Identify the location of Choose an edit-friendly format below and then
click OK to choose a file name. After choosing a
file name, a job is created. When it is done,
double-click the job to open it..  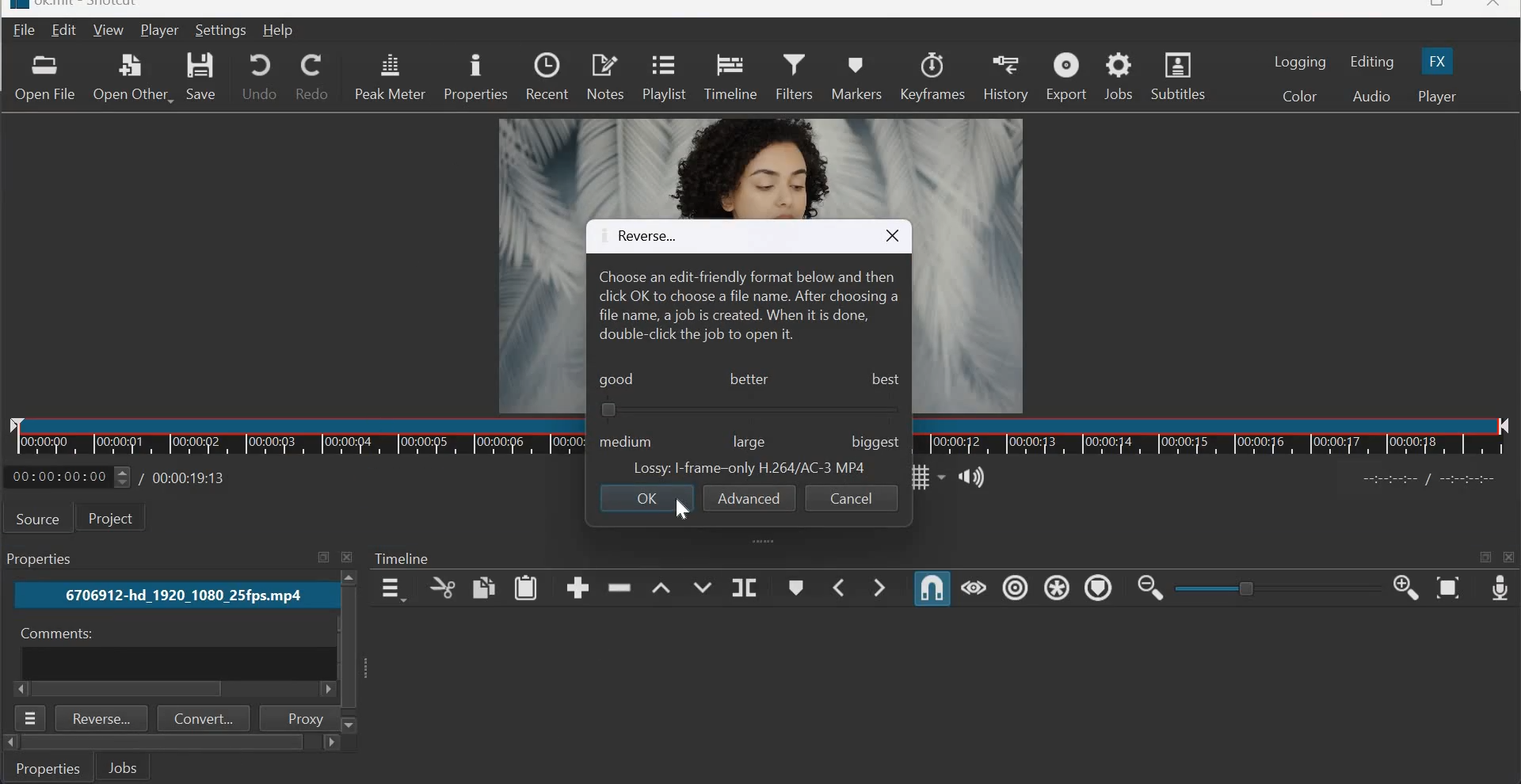
(748, 306).